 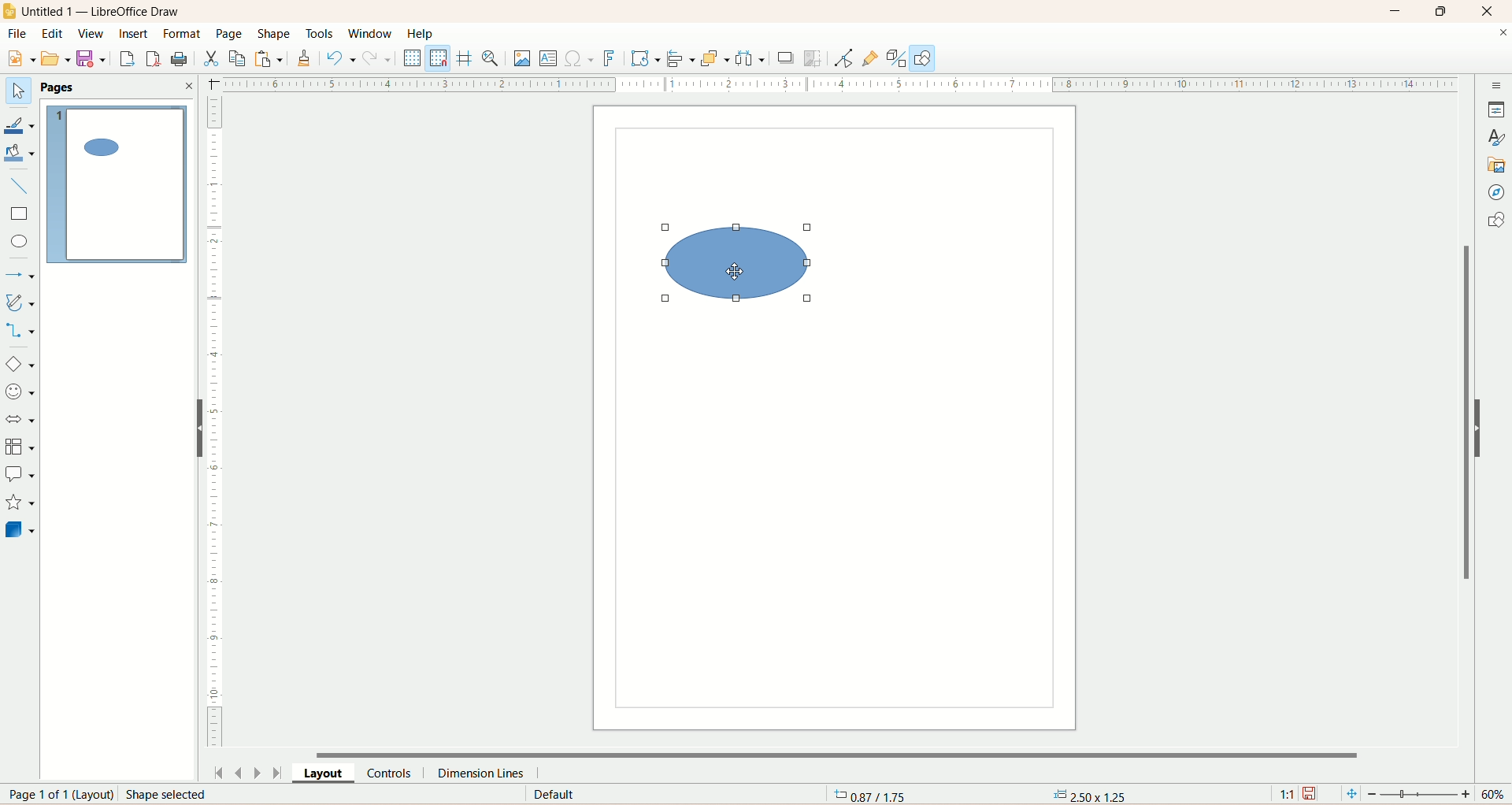 What do you see at coordinates (925, 59) in the screenshot?
I see `draw function` at bounding box center [925, 59].